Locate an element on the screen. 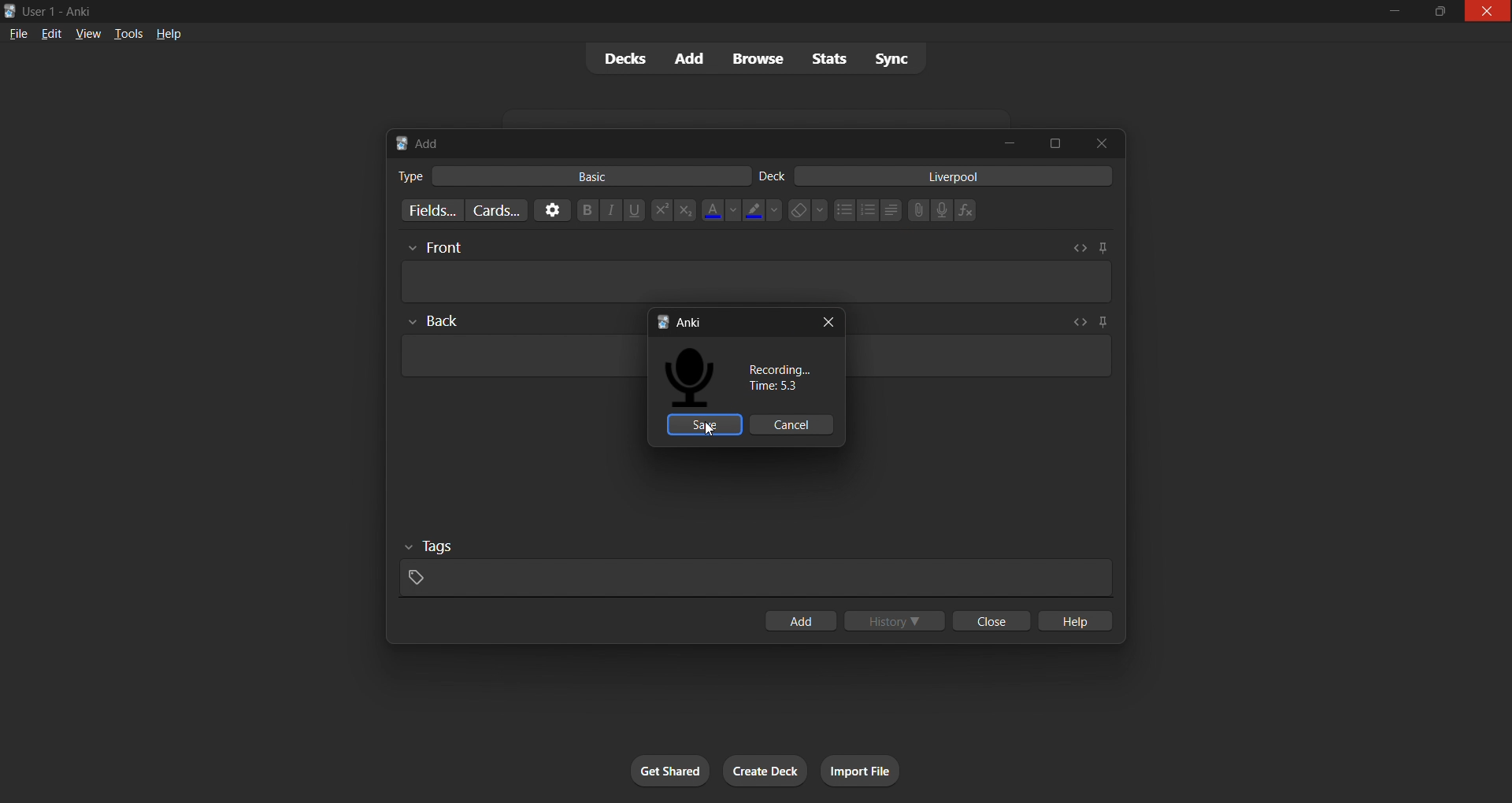  unordered list is located at coordinates (841, 209).